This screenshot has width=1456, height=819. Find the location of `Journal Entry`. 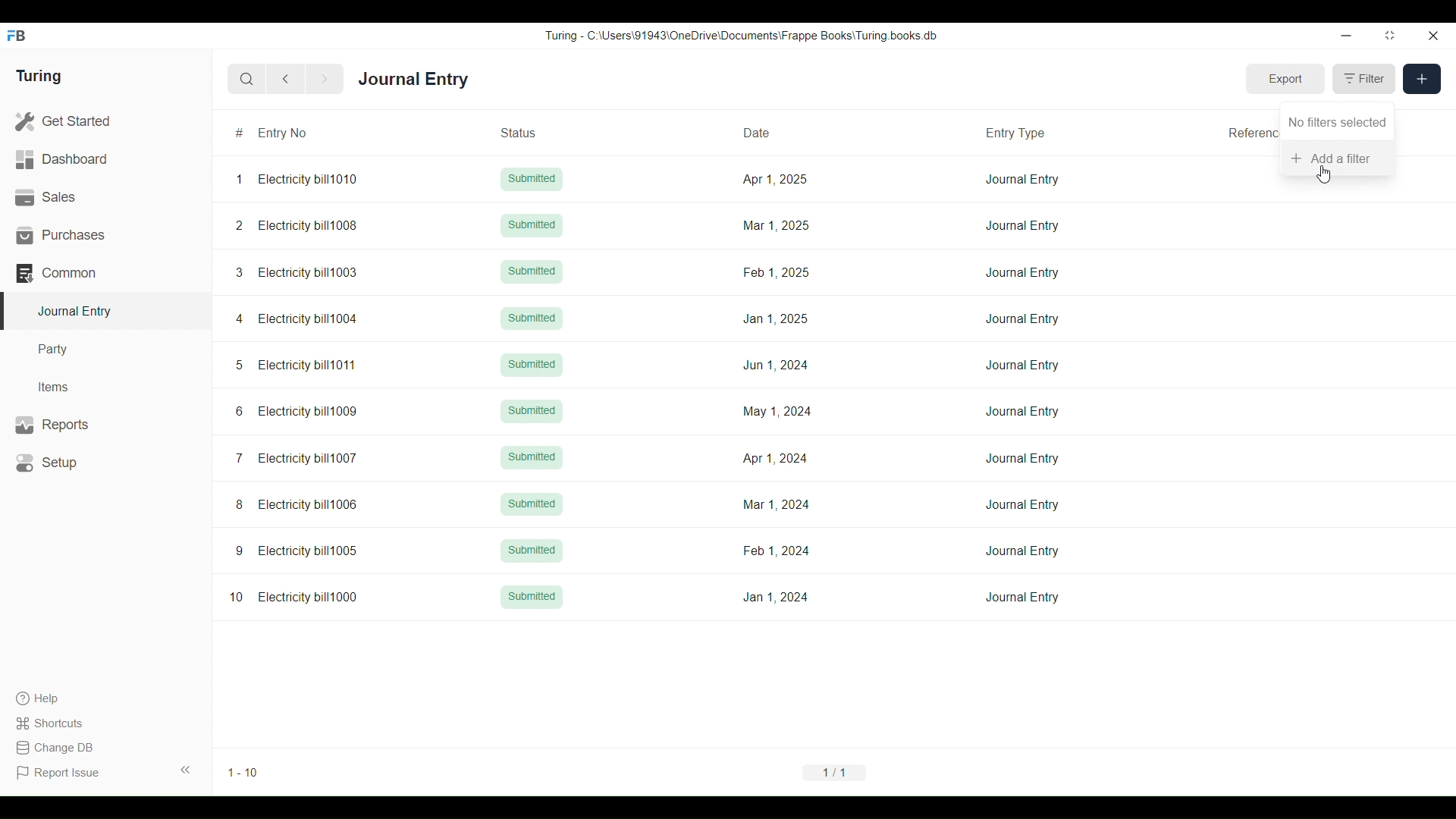

Journal Entry is located at coordinates (1022, 551).